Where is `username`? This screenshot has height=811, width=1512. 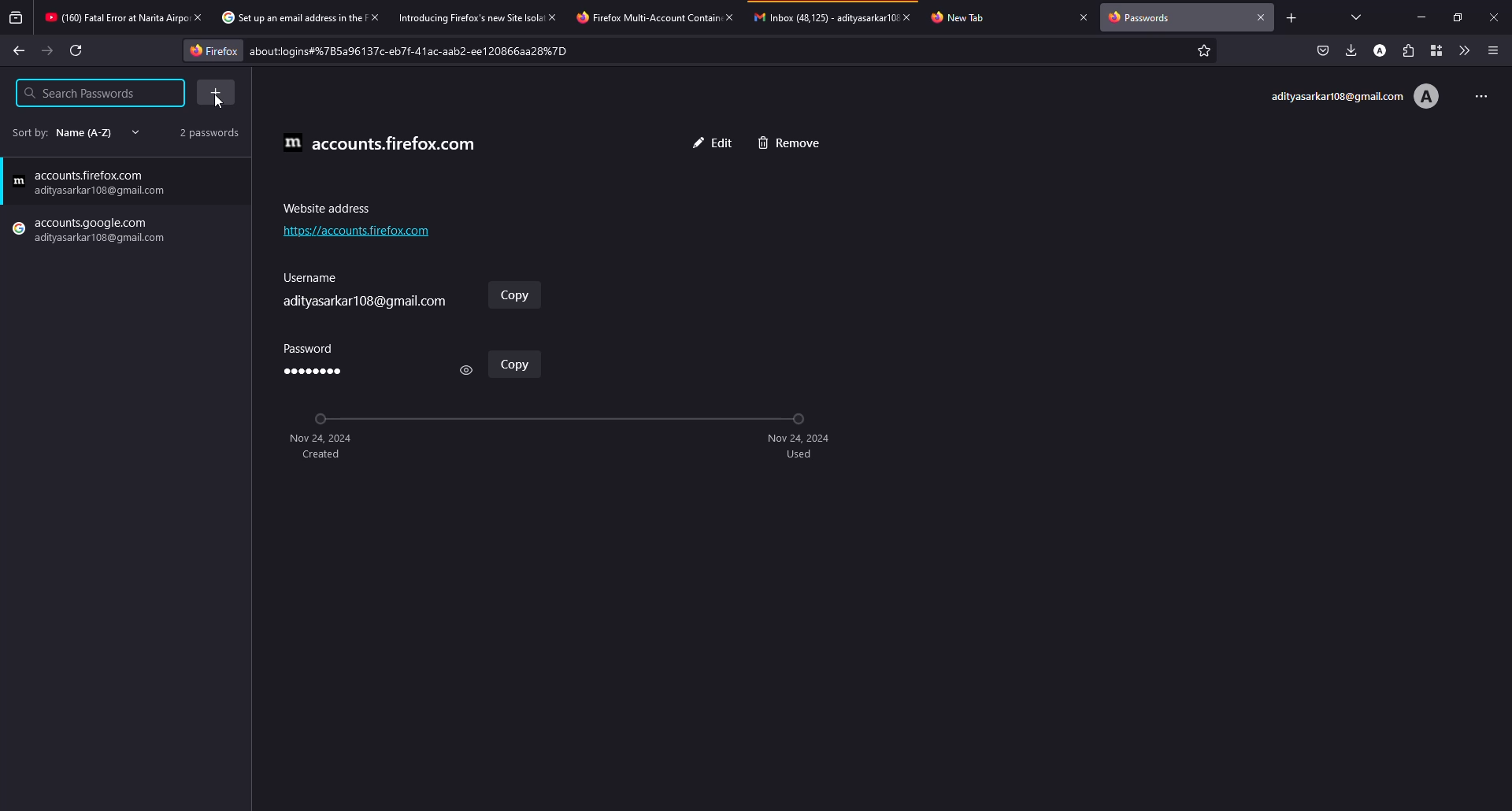
username is located at coordinates (361, 299).